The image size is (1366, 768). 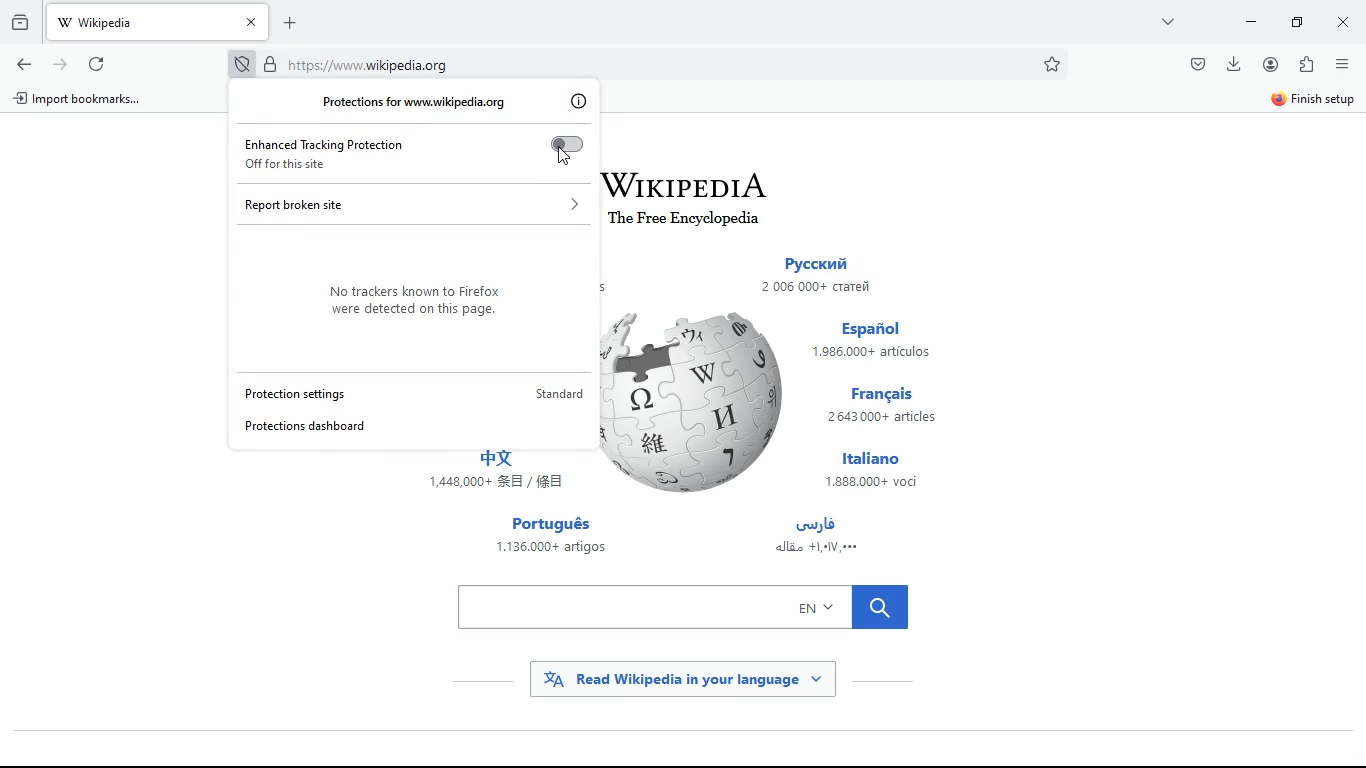 What do you see at coordinates (367, 67) in the screenshot?
I see `\ttps:/ www. wikipedia.org` at bounding box center [367, 67].